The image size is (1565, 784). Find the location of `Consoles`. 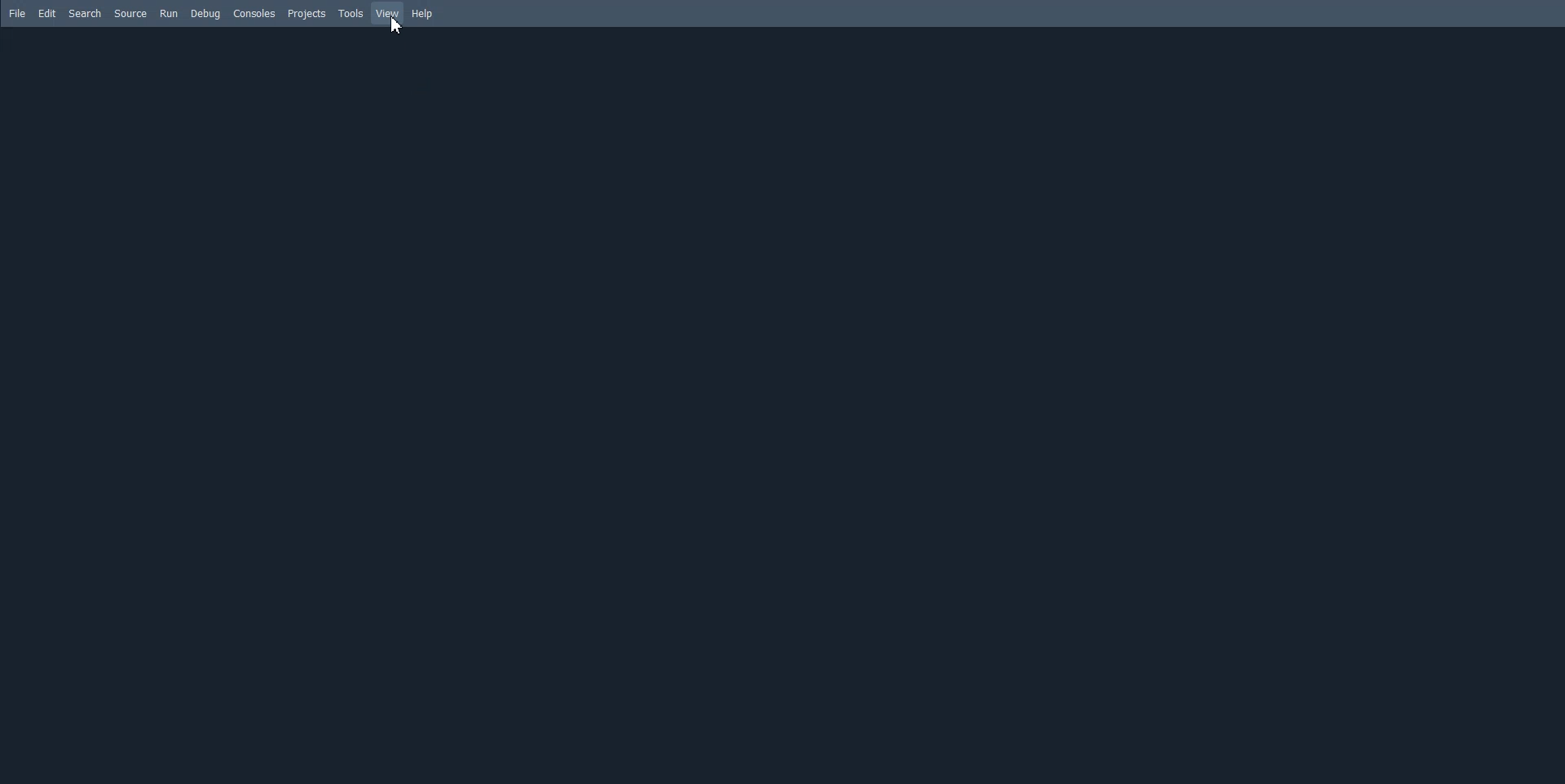

Consoles is located at coordinates (254, 13).